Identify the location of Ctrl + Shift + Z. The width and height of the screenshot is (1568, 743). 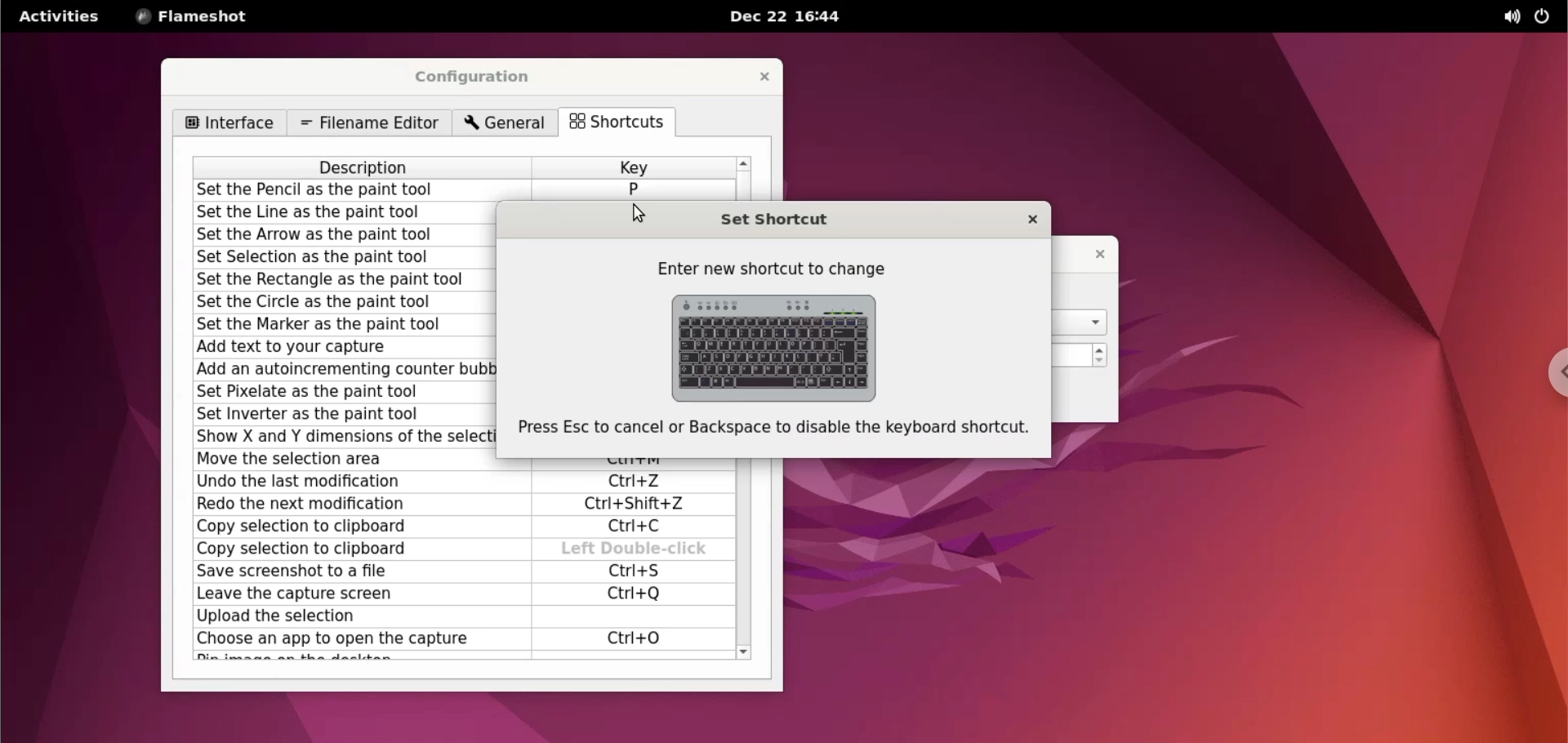
(641, 505).